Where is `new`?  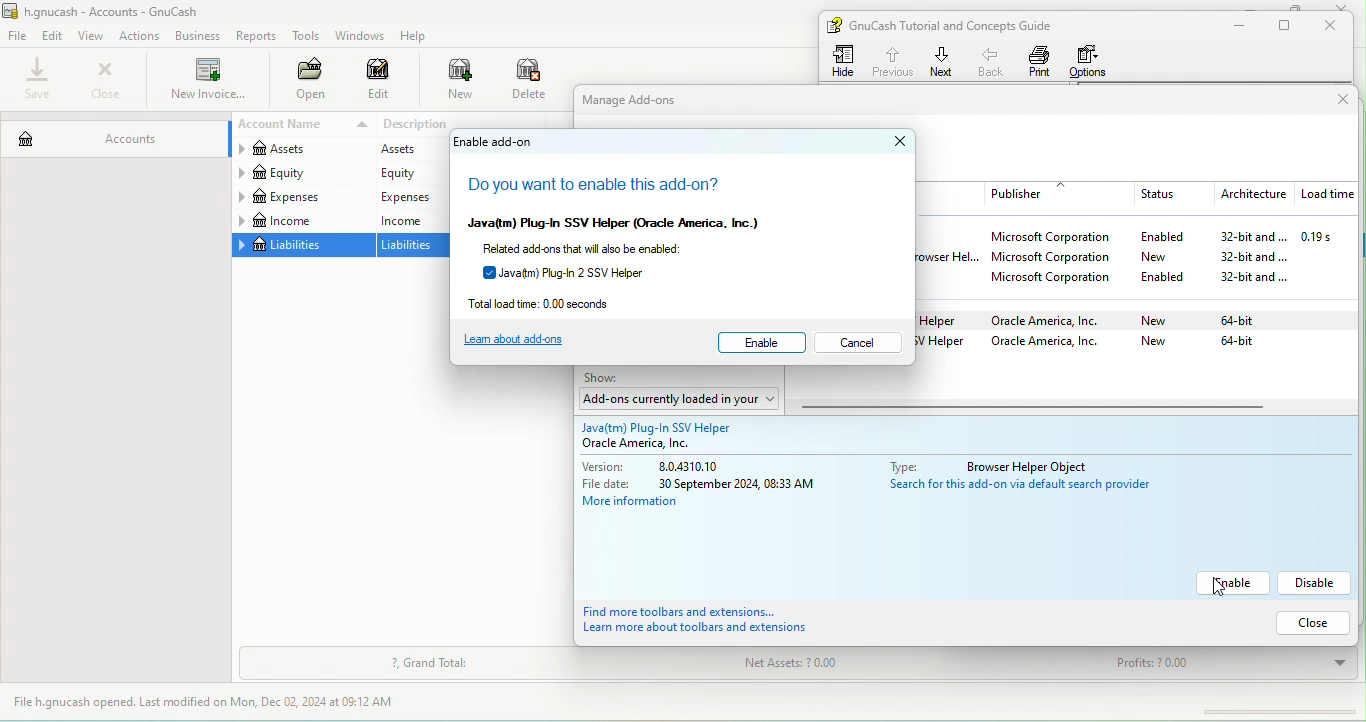
new is located at coordinates (1157, 342).